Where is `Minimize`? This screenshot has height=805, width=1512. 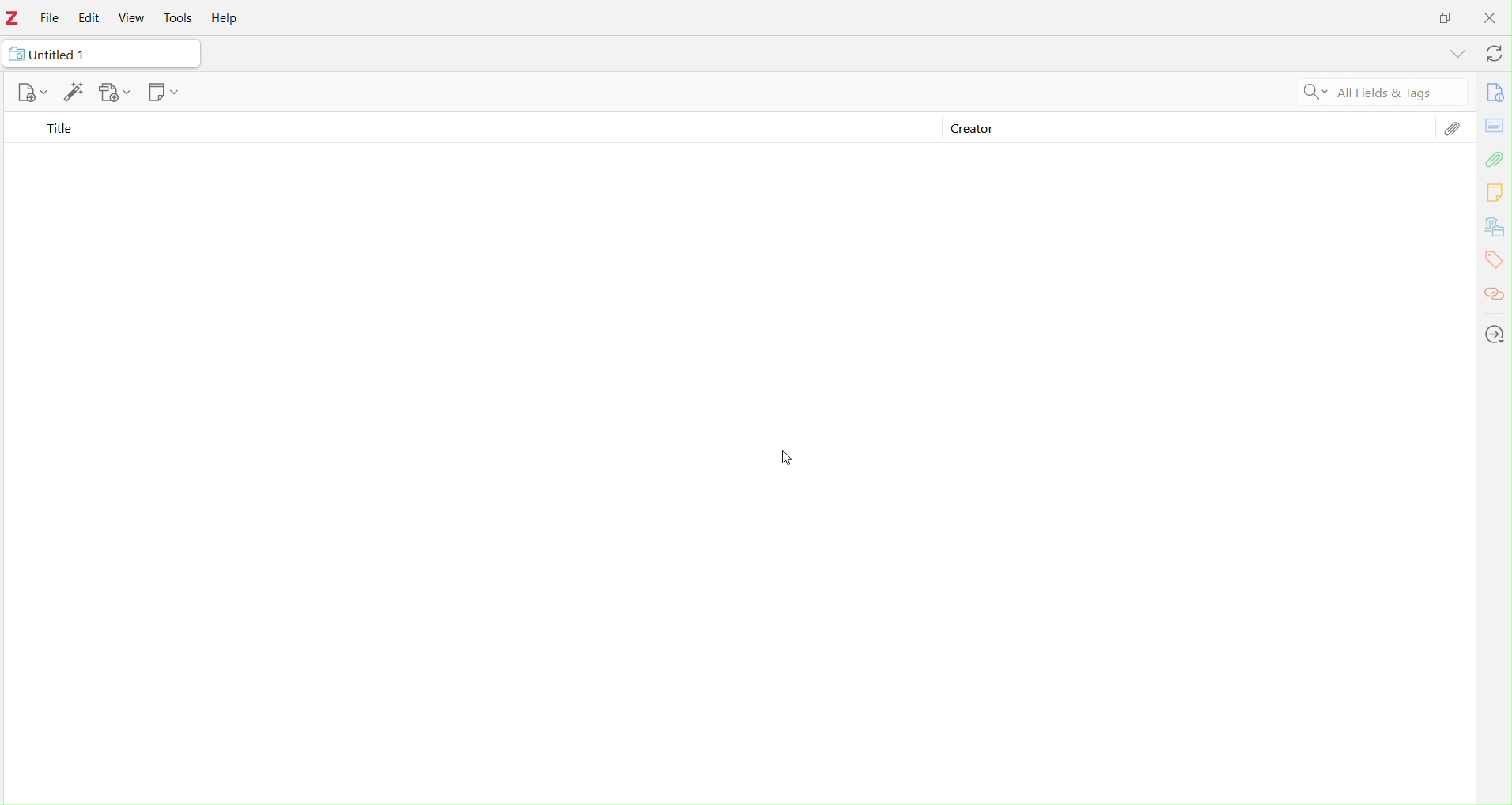 Minimize is located at coordinates (1403, 19).